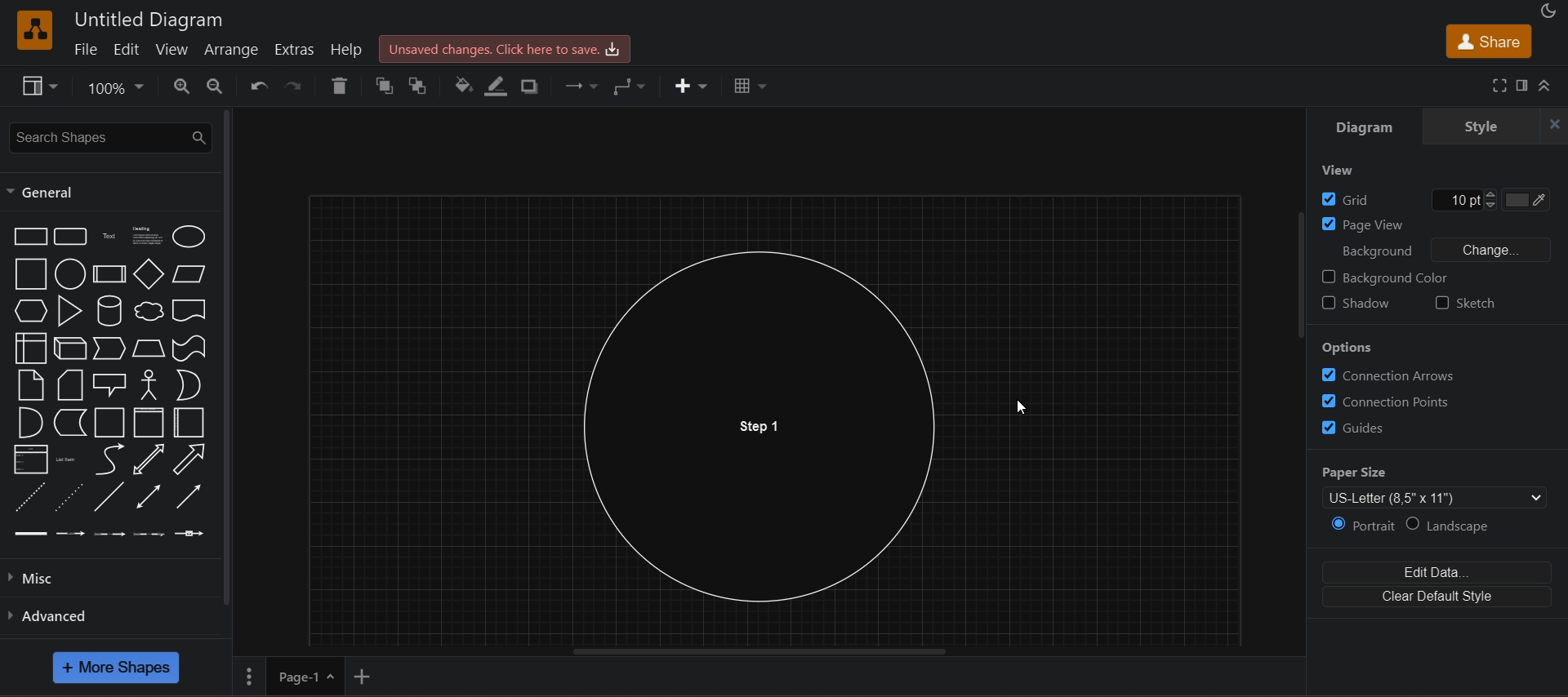 This screenshot has height=697, width=1568. What do you see at coordinates (106, 534) in the screenshot?
I see `Connector 3` at bounding box center [106, 534].